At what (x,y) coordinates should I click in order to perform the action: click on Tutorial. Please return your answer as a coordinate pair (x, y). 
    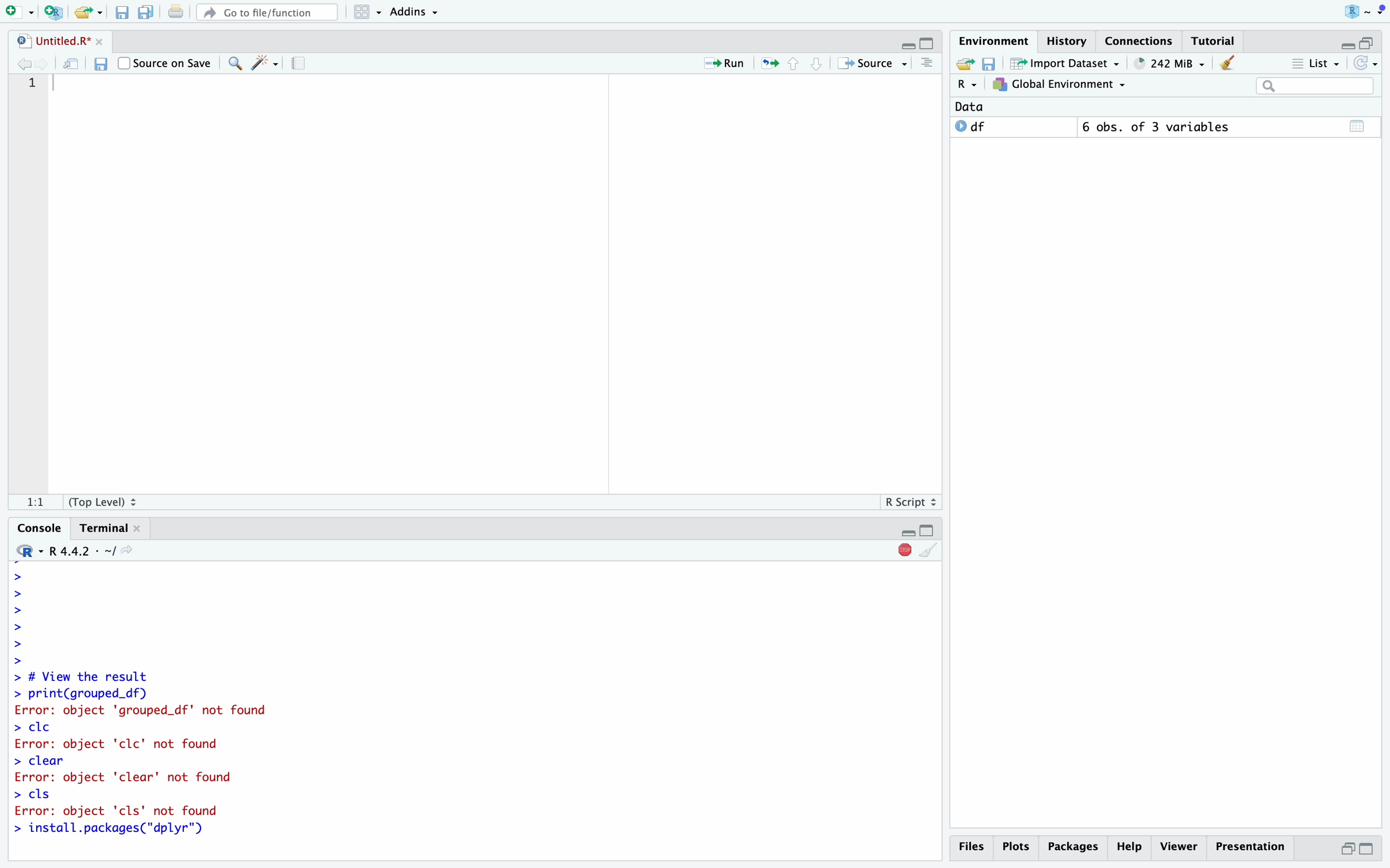
    Looking at the image, I should click on (1210, 41).